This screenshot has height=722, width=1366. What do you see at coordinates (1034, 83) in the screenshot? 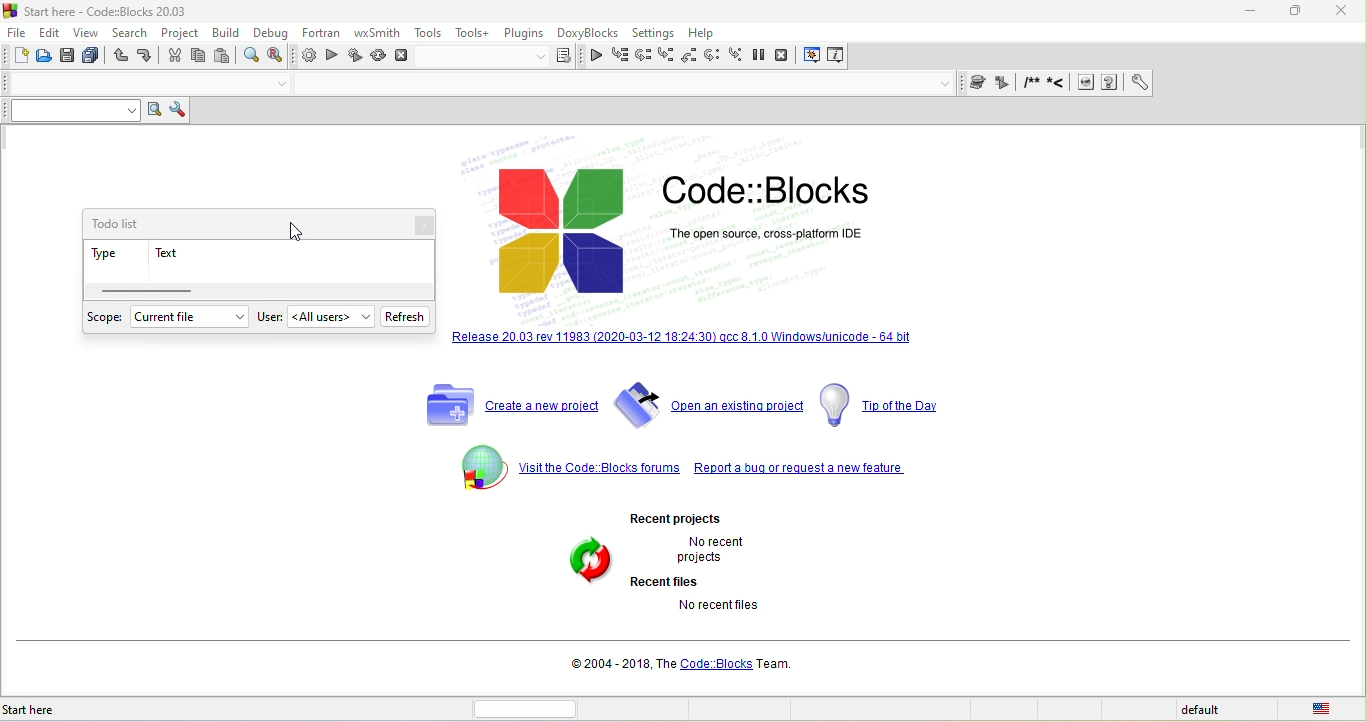
I see `block comment` at bounding box center [1034, 83].